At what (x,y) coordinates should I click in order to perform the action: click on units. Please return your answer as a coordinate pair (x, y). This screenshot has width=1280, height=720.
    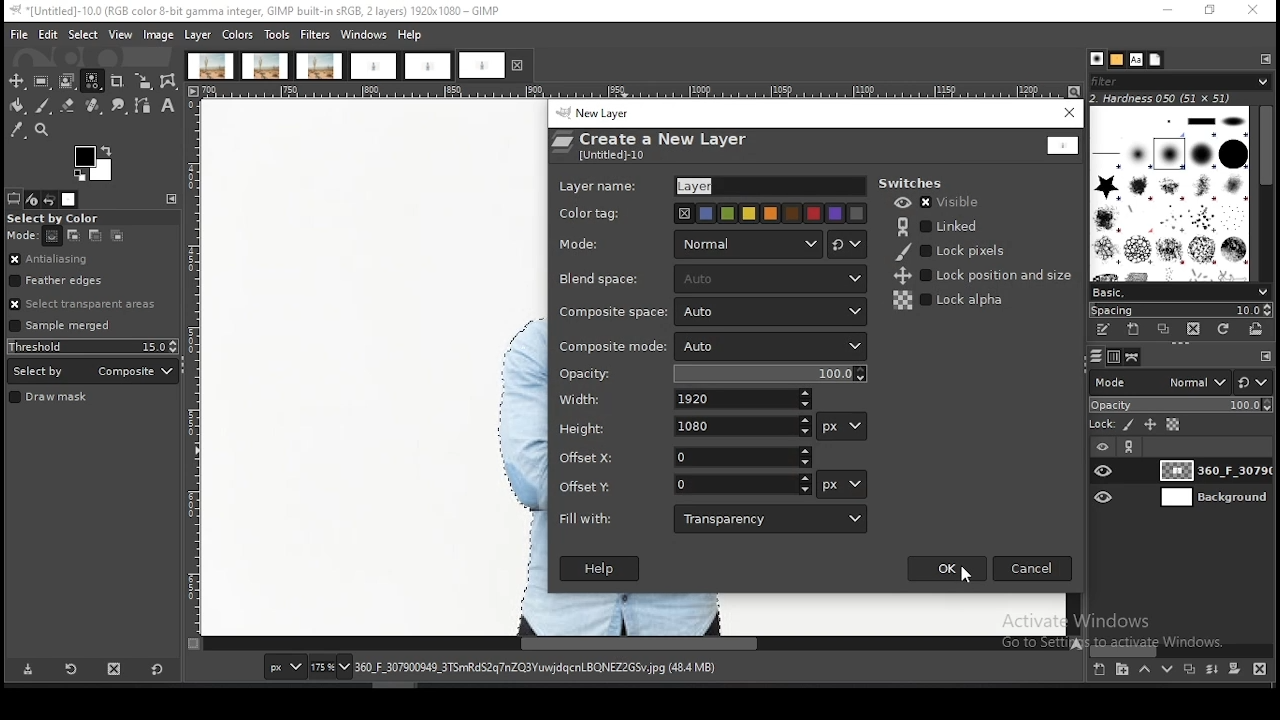
    Looking at the image, I should click on (843, 427).